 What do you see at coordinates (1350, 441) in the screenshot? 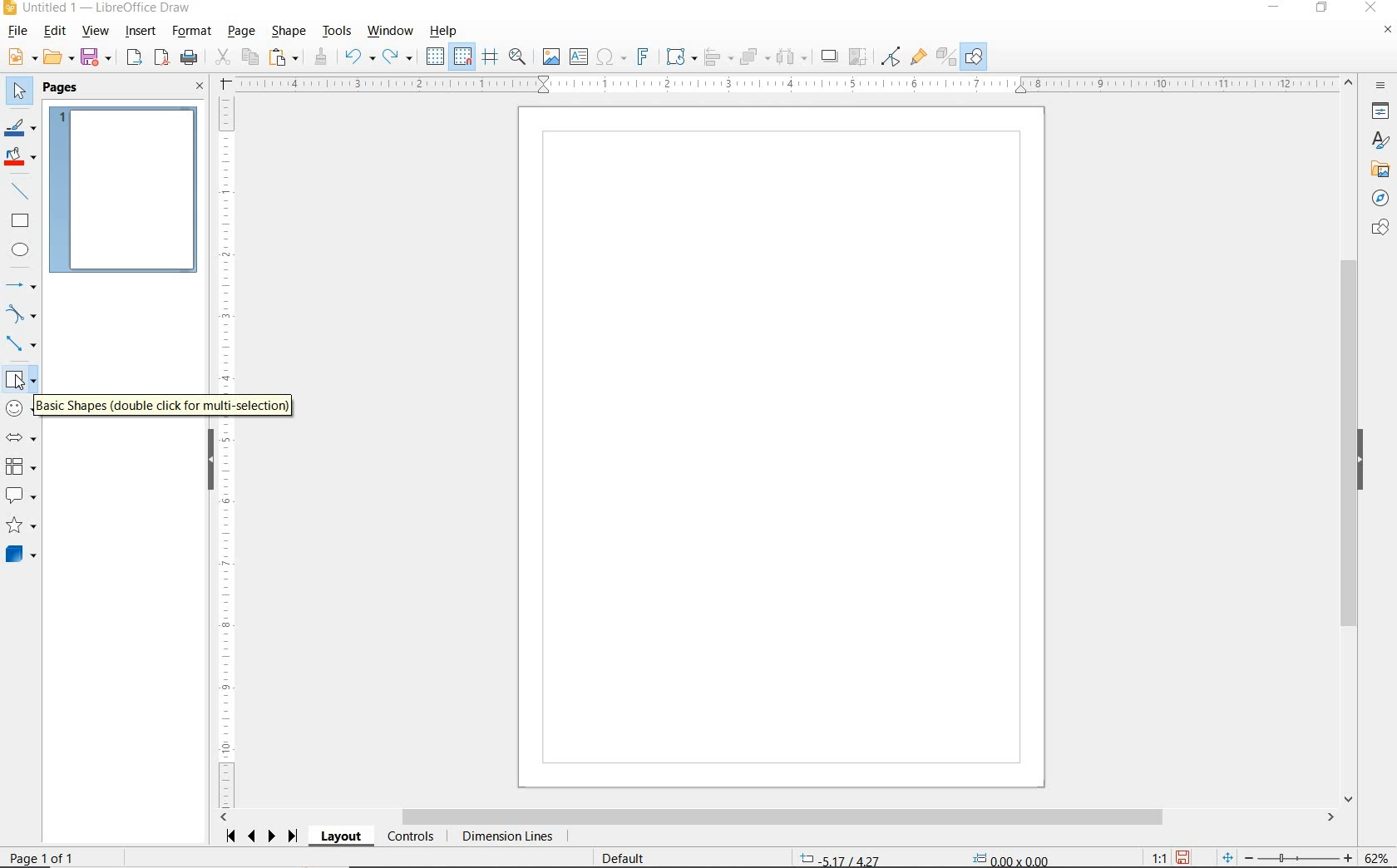
I see `SCROLLBAR` at bounding box center [1350, 441].